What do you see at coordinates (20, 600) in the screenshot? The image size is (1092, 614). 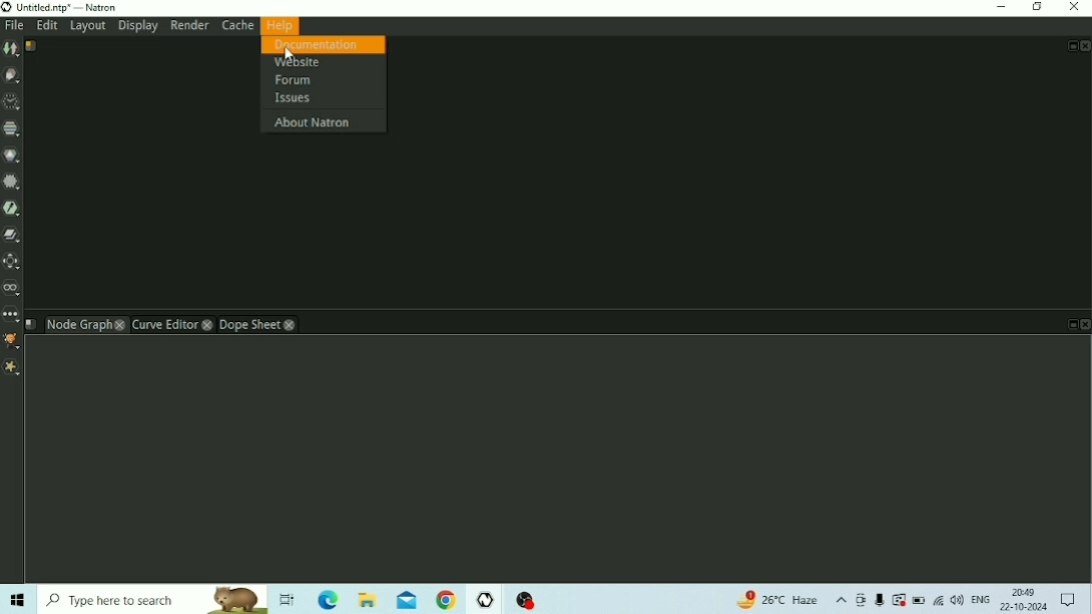 I see `Windows` at bounding box center [20, 600].